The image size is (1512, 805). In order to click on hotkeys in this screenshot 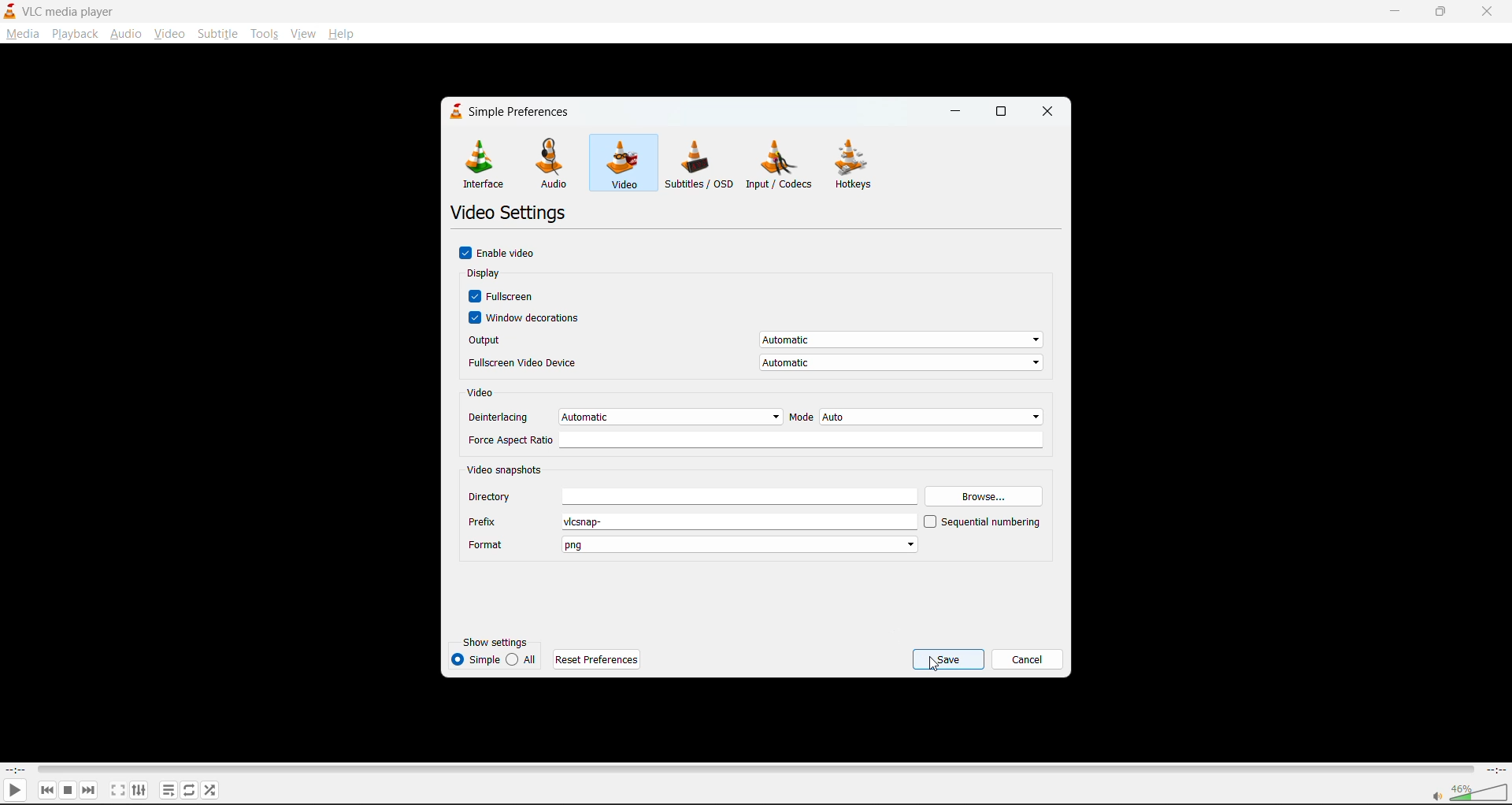, I will do `click(858, 165)`.